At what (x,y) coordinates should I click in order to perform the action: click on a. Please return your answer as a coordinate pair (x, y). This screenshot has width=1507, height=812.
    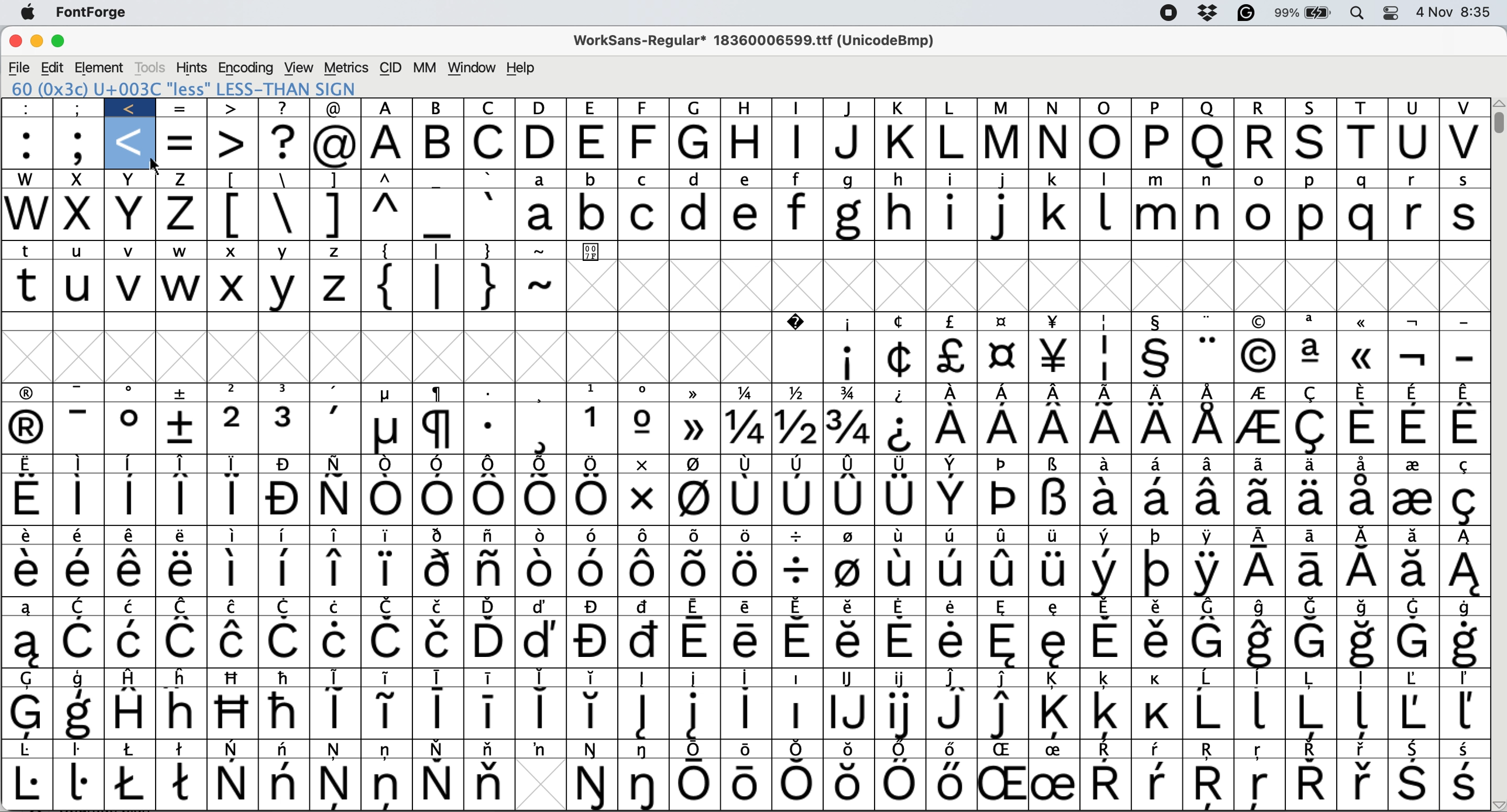
    Looking at the image, I should click on (541, 213).